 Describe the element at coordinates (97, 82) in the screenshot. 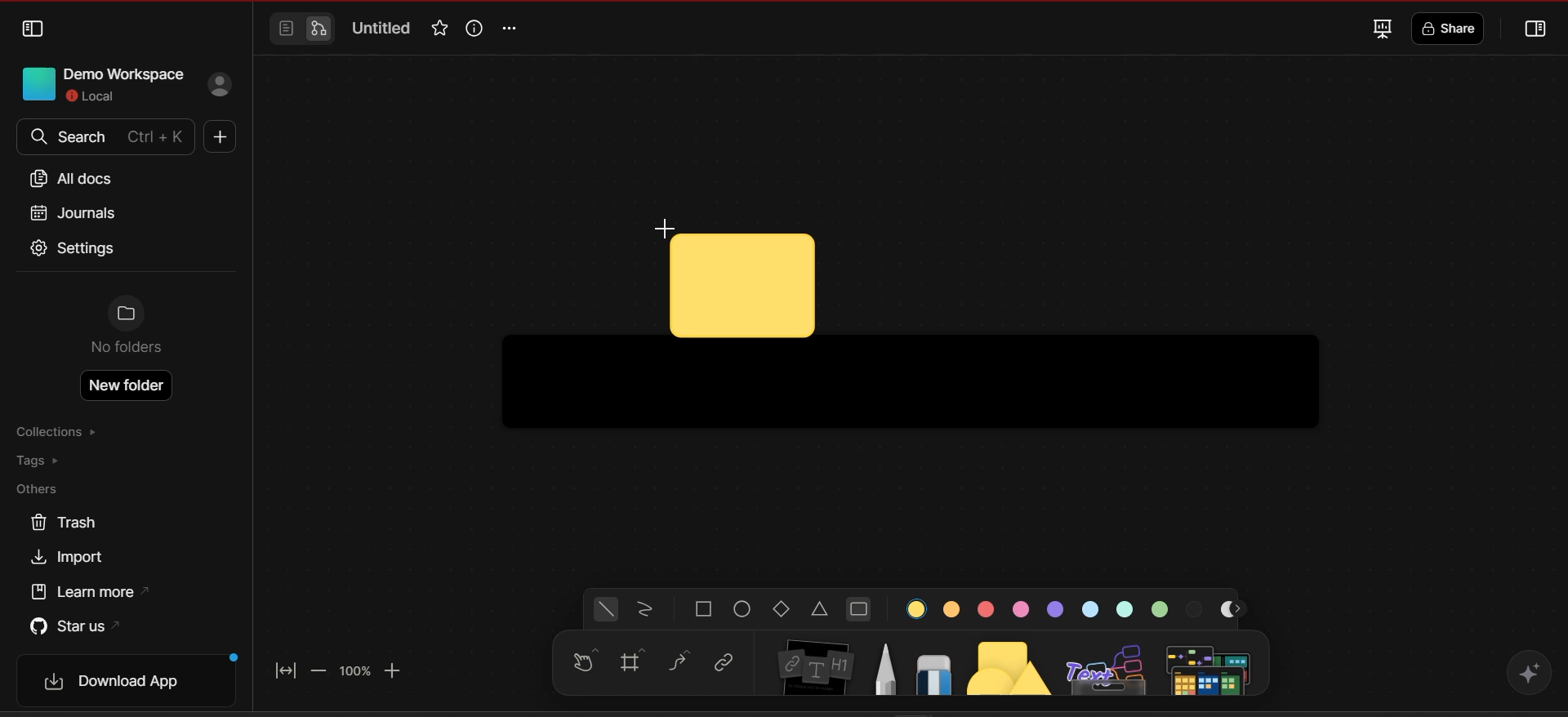

I see `Demo workspace local` at that location.